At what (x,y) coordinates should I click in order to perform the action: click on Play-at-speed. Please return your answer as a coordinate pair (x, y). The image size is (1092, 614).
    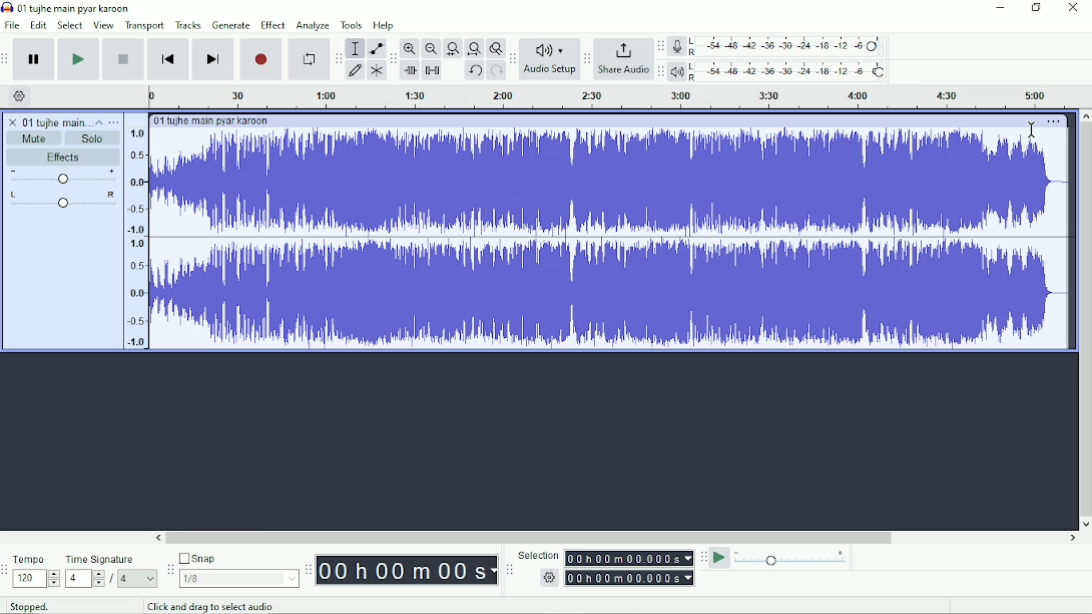
    Looking at the image, I should click on (721, 558).